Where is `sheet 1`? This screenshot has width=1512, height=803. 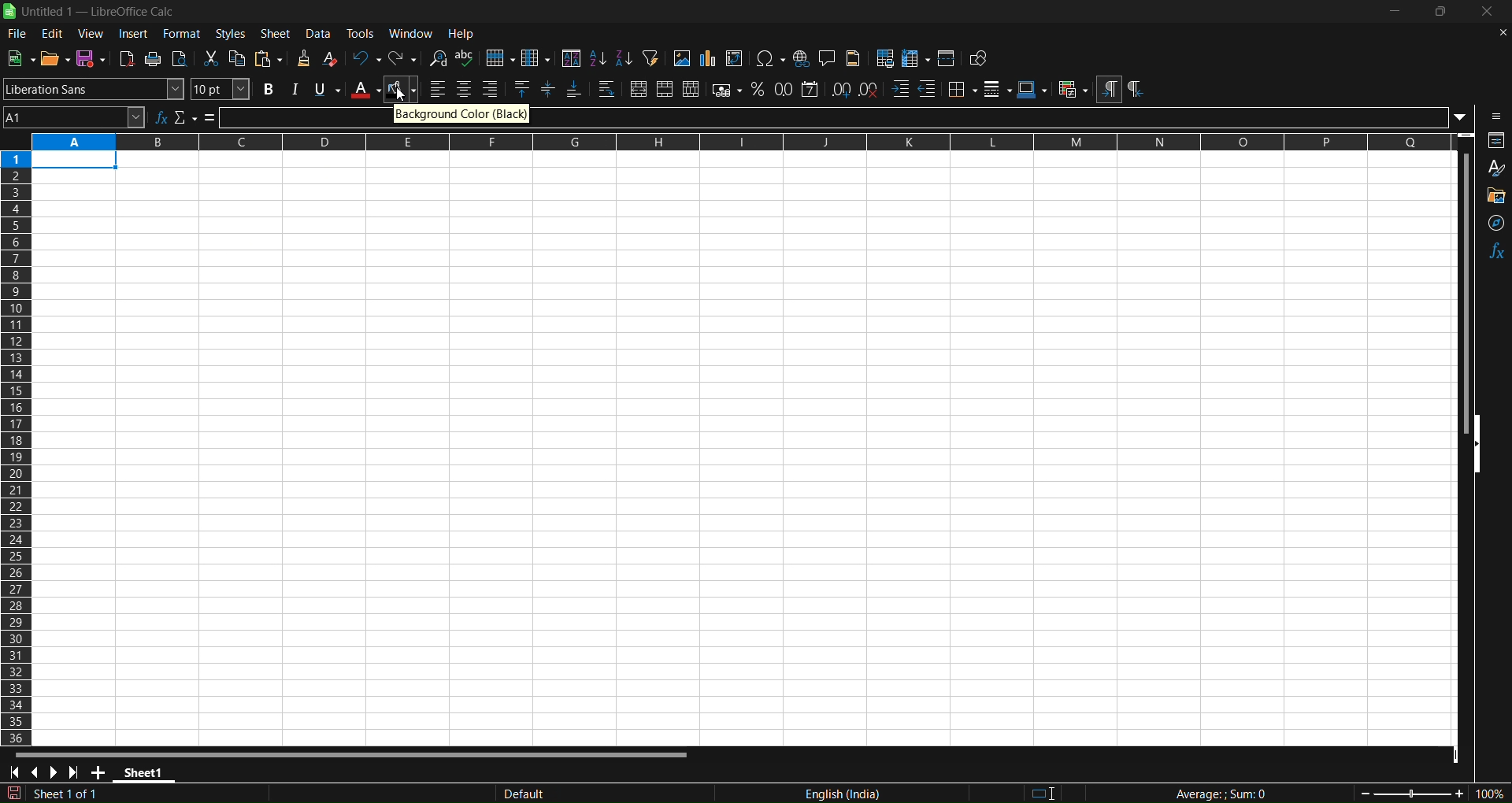 sheet 1 is located at coordinates (146, 772).